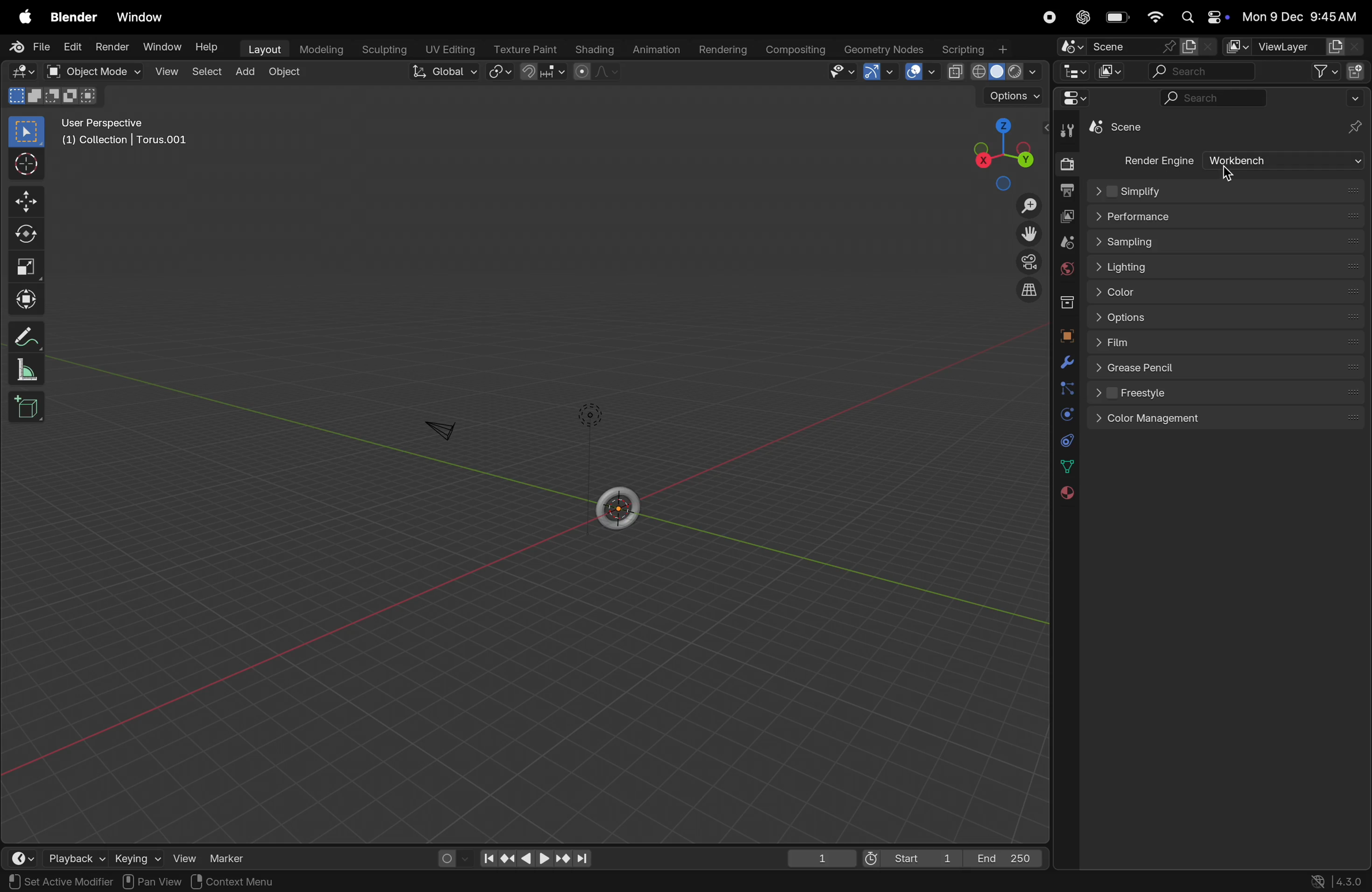  What do you see at coordinates (1155, 160) in the screenshot?
I see `render engine` at bounding box center [1155, 160].